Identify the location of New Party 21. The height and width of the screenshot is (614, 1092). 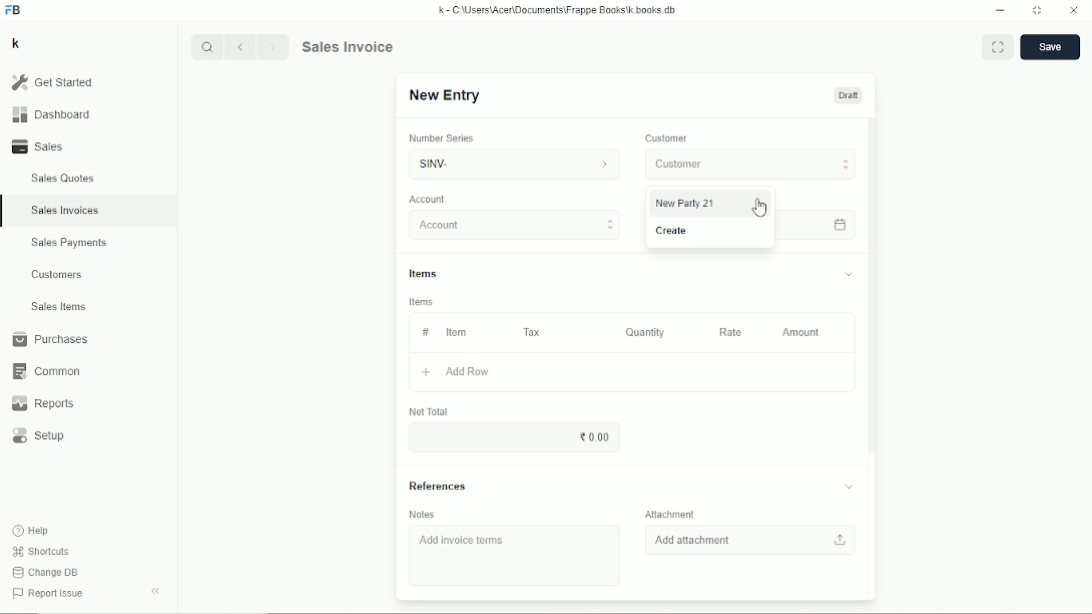
(686, 203).